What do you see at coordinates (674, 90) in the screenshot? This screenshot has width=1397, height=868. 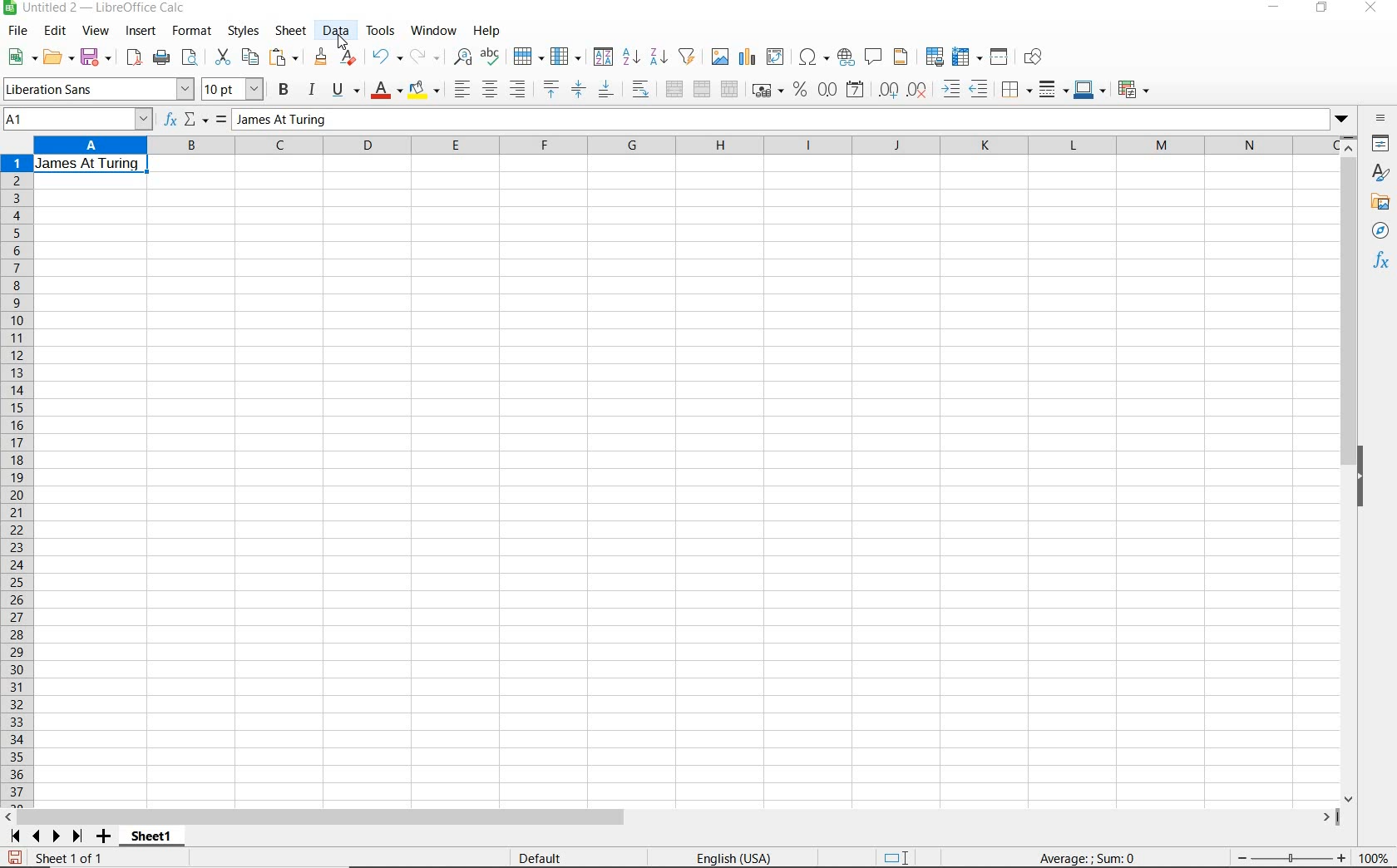 I see `merge and center or unmerge cells` at bounding box center [674, 90].